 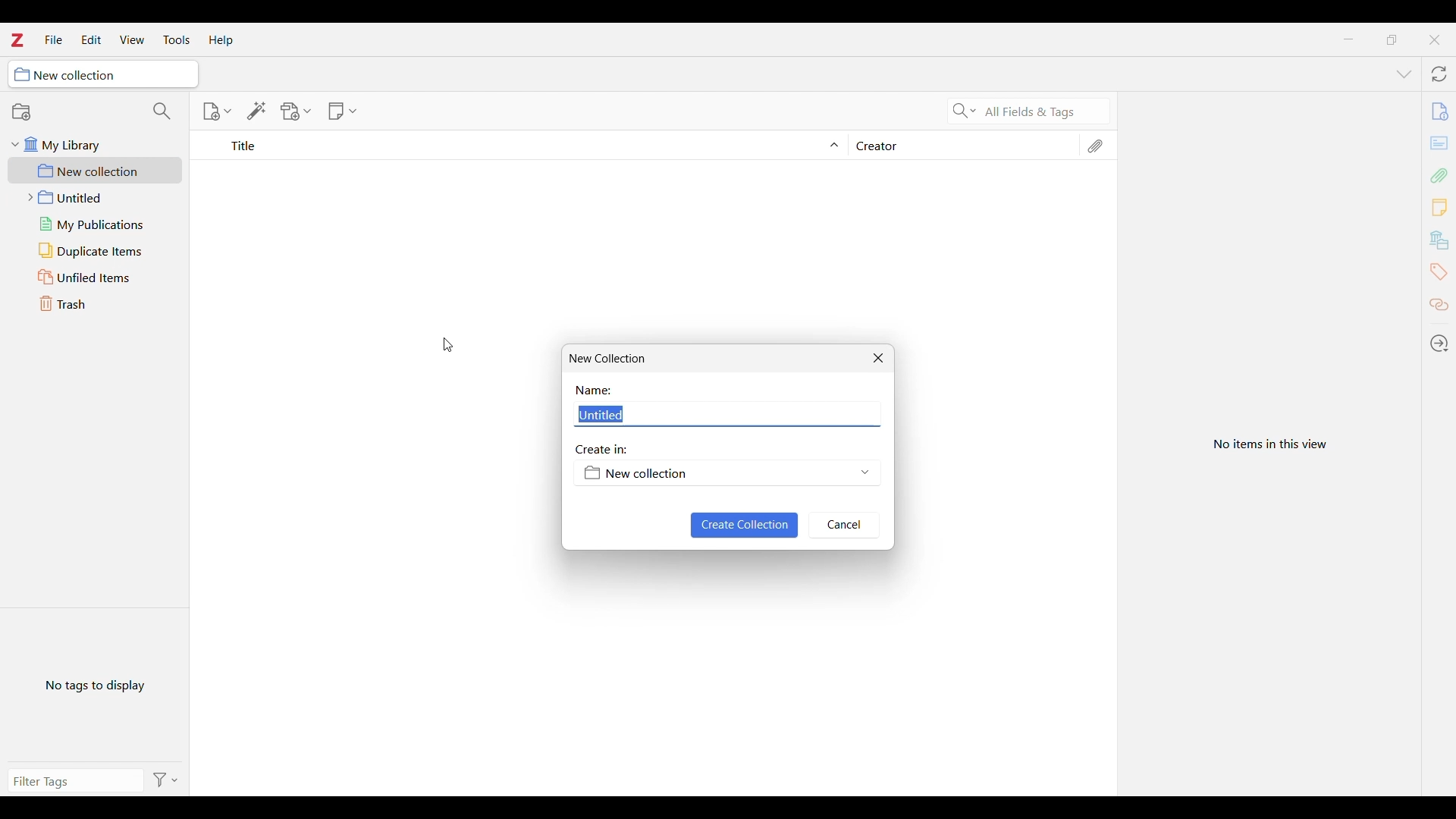 What do you see at coordinates (613, 359) in the screenshot?
I see `New Collection` at bounding box center [613, 359].